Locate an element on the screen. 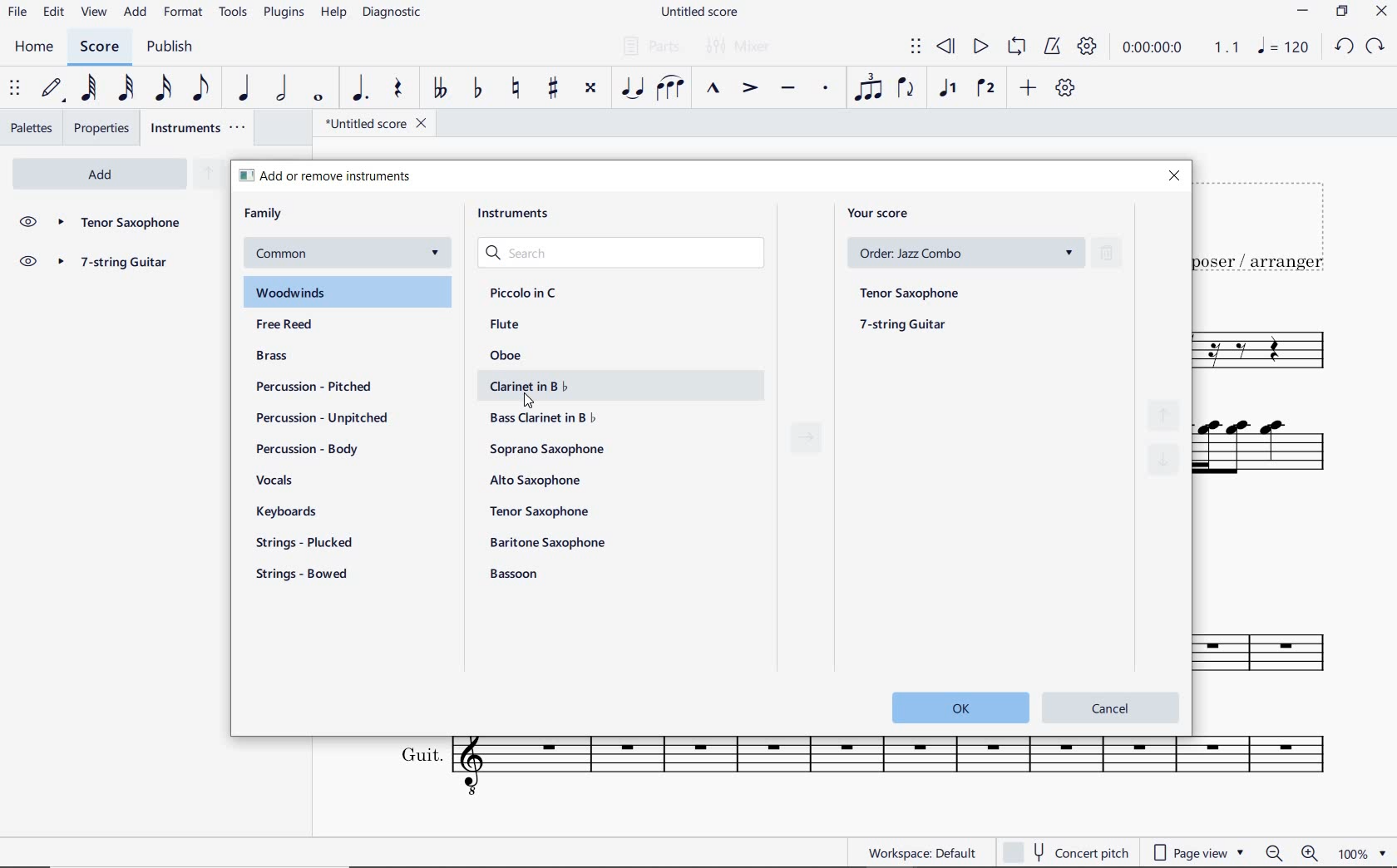 The width and height of the screenshot is (1397, 868). soprano saxophone is located at coordinates (550, 450).